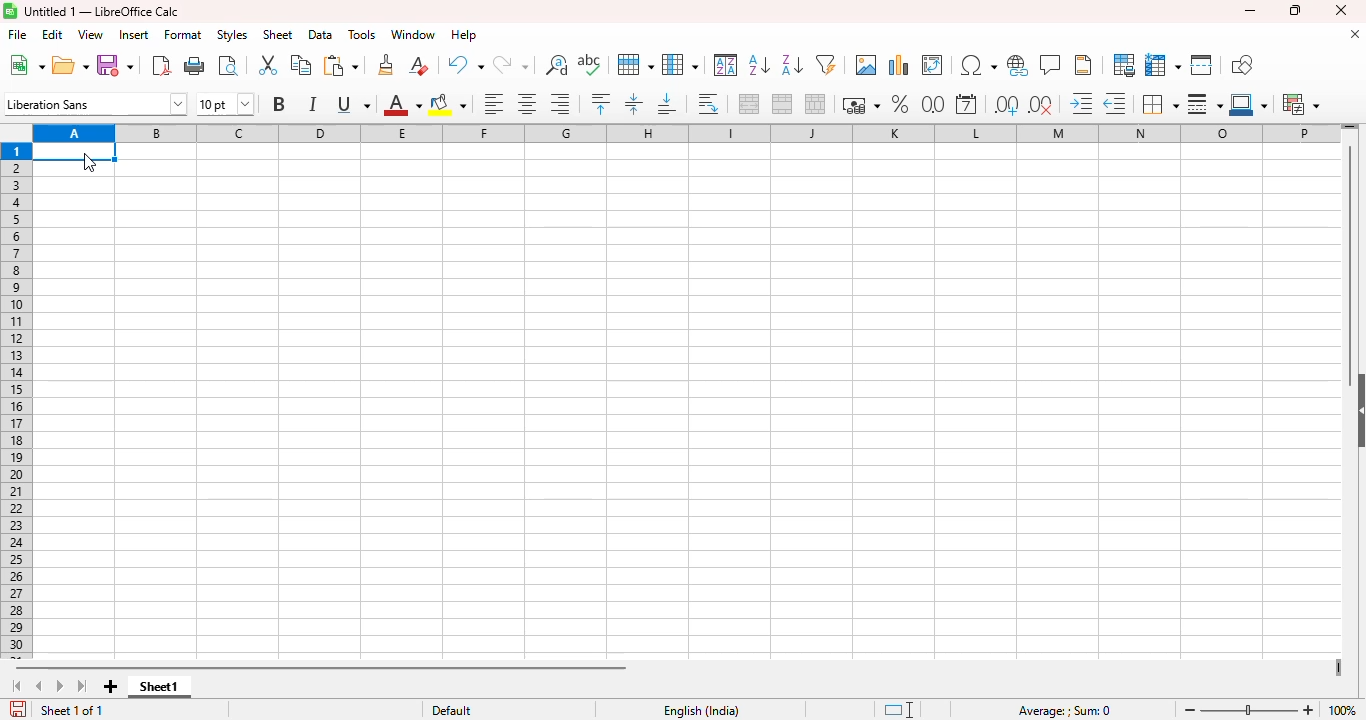 This screenshot has height=720, width=1366. I want to click on open, so click(70, 64).